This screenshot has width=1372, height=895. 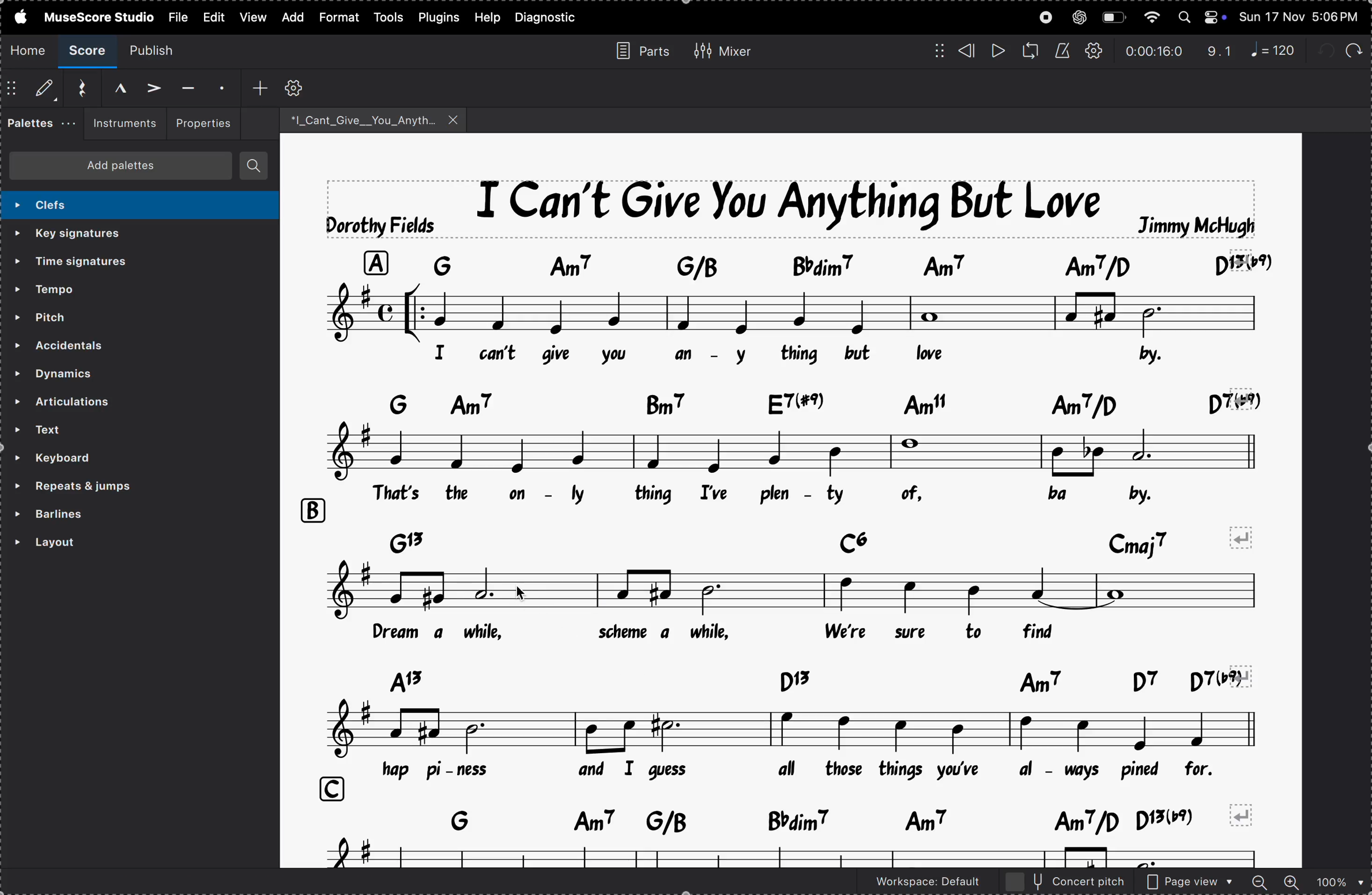 I want to click on row, so click(x=327, y=789).